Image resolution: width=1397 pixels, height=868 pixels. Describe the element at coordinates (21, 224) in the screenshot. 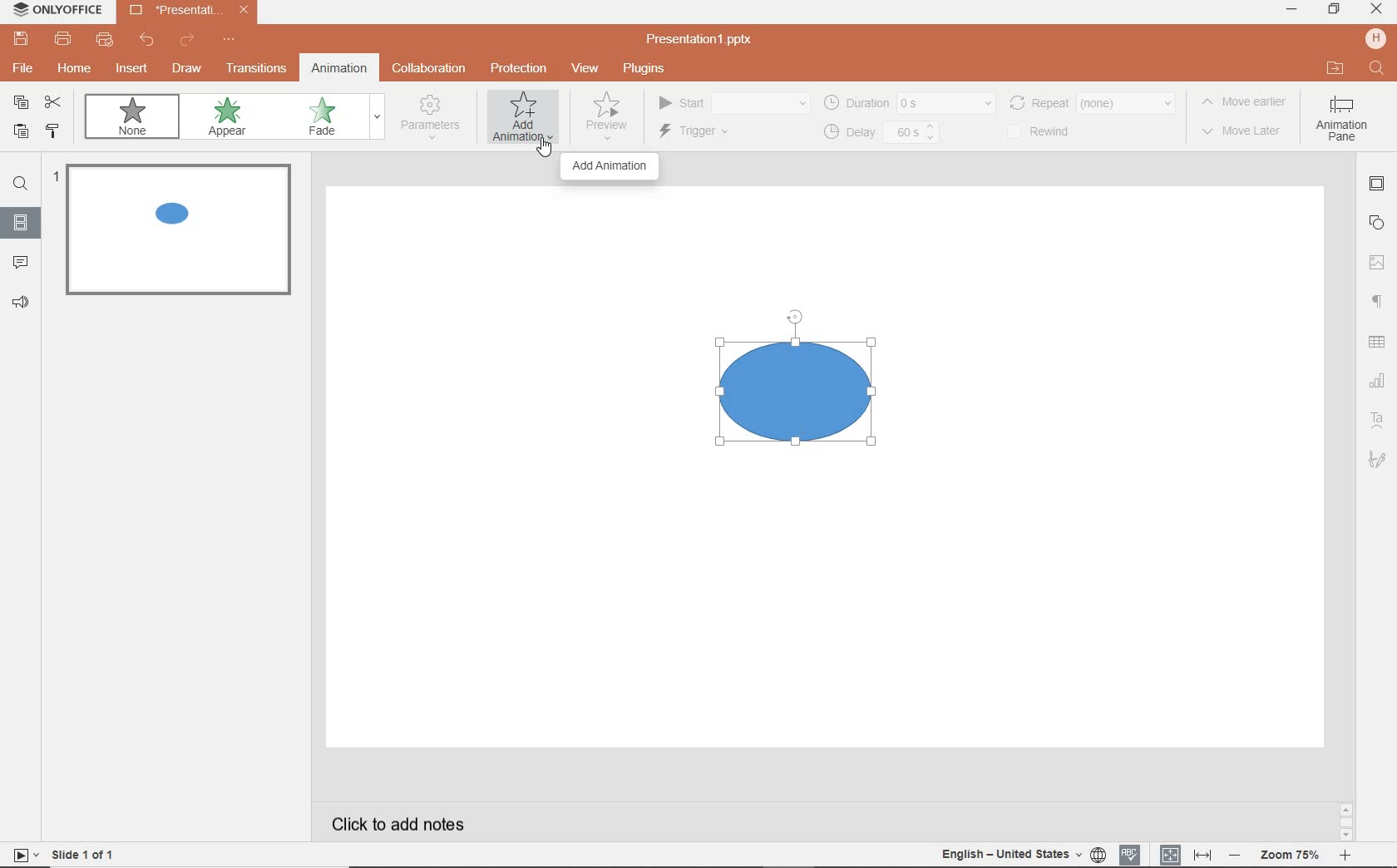

I see `slide` at that location.